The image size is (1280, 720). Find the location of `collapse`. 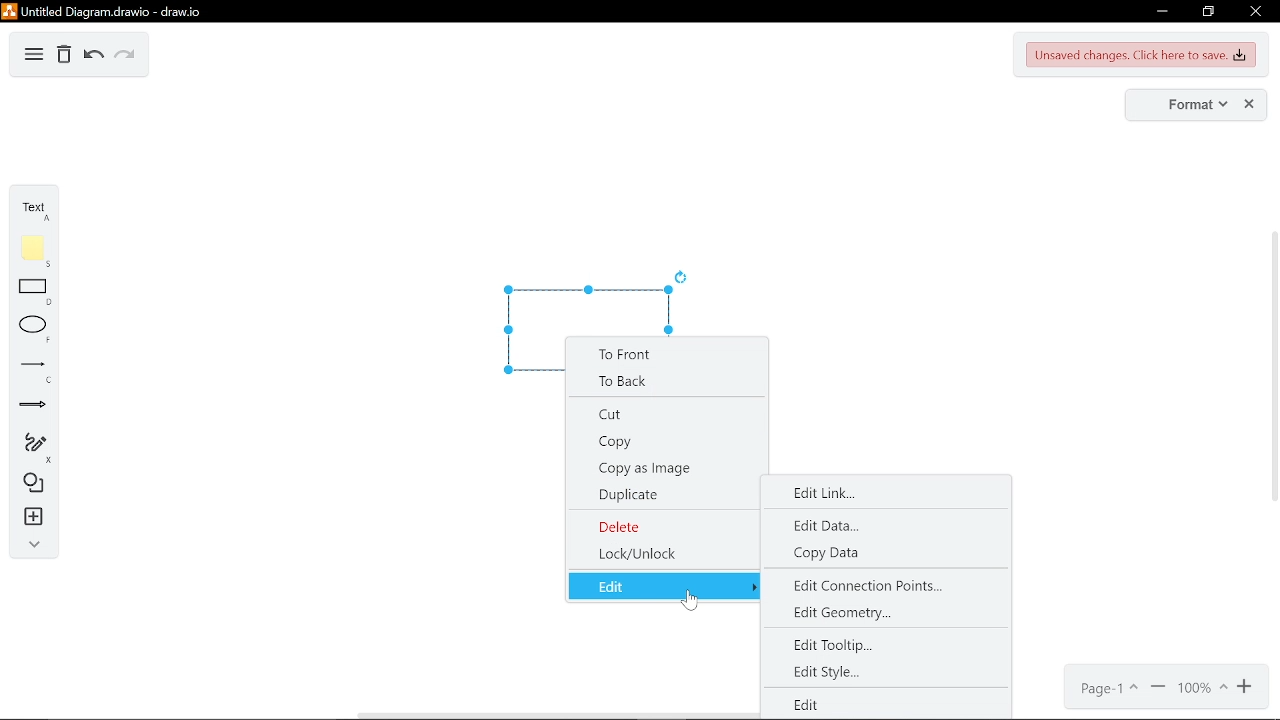

collapse is located at coordinates (34, 546).